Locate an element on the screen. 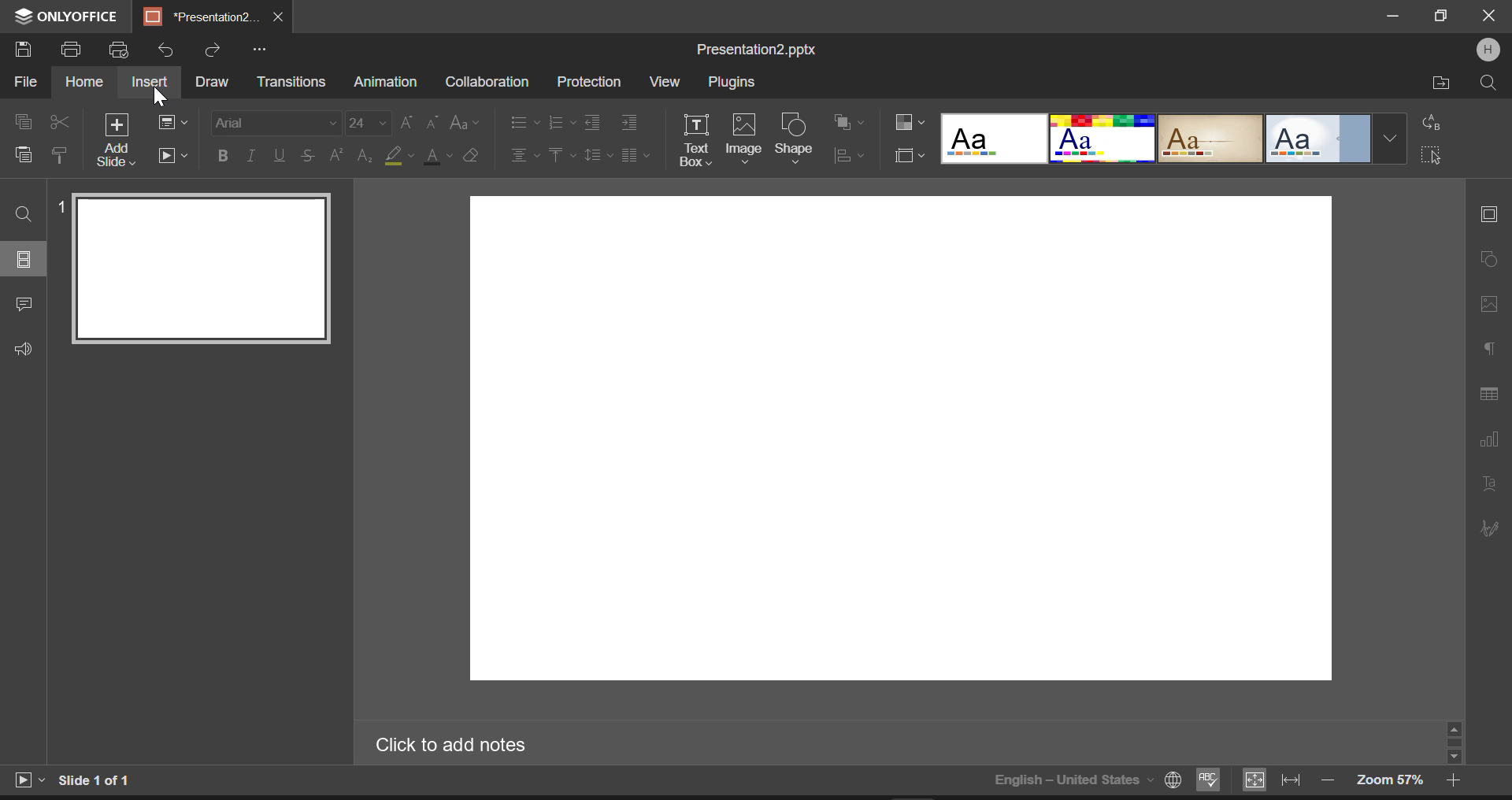 The height and width of the screenshot is (800, 1512). Redo is located at coordinates (213, 48).